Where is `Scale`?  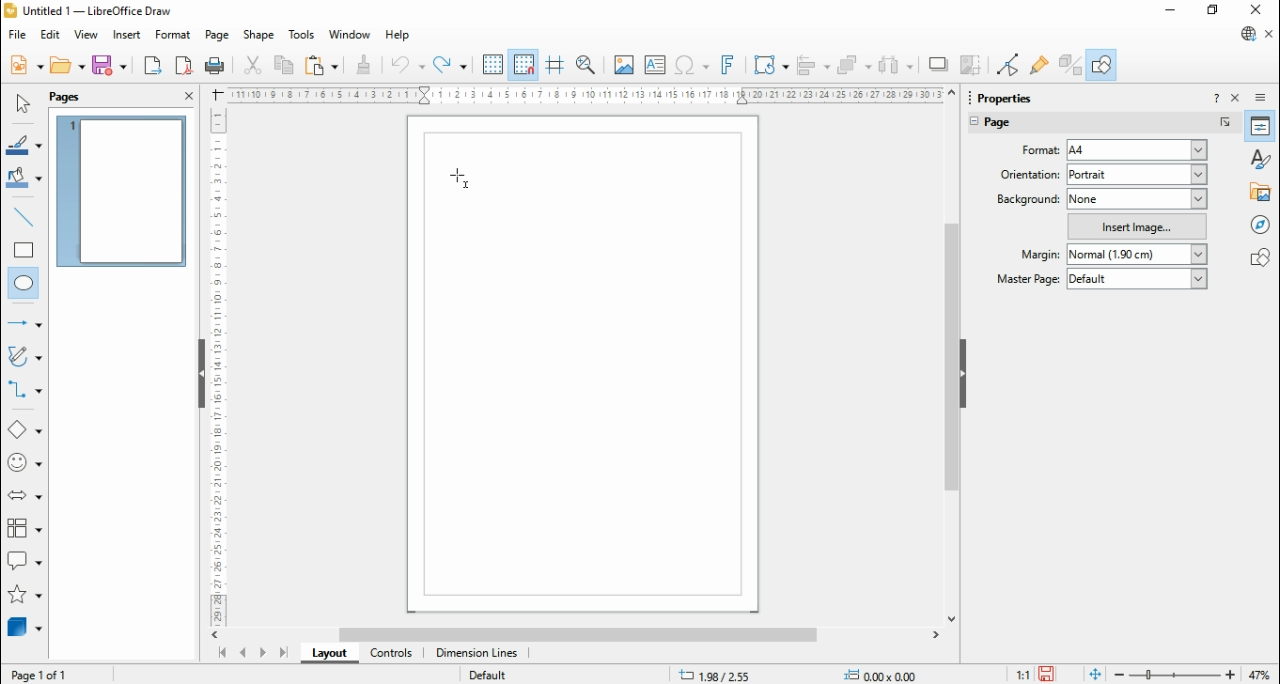
Scale is located at coordinates (585, 95).